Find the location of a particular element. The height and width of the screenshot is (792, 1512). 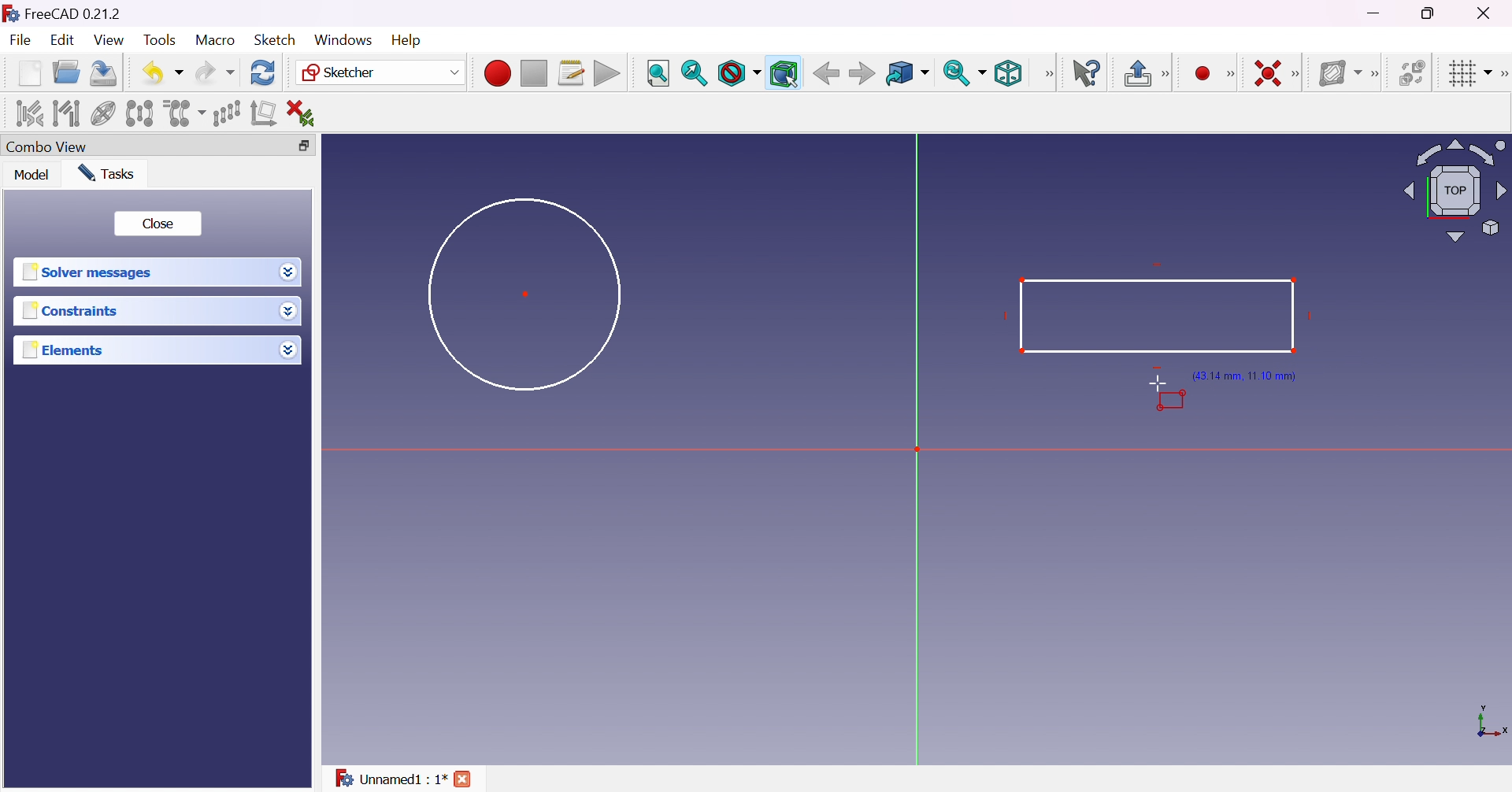

Clone is located at coordinates (183, 112).